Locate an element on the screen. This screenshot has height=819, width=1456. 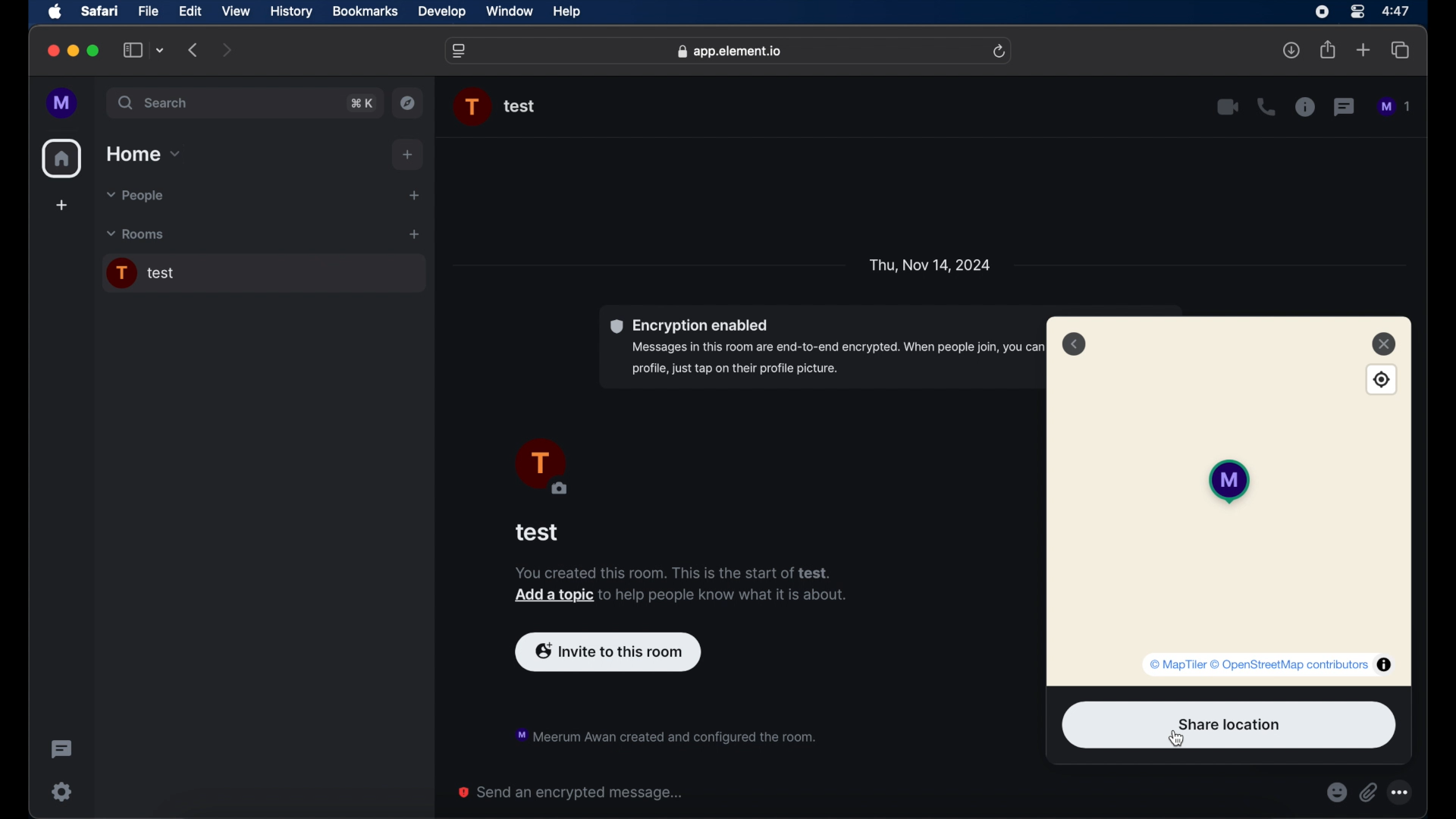
settings is located at coordinates (61, 791).